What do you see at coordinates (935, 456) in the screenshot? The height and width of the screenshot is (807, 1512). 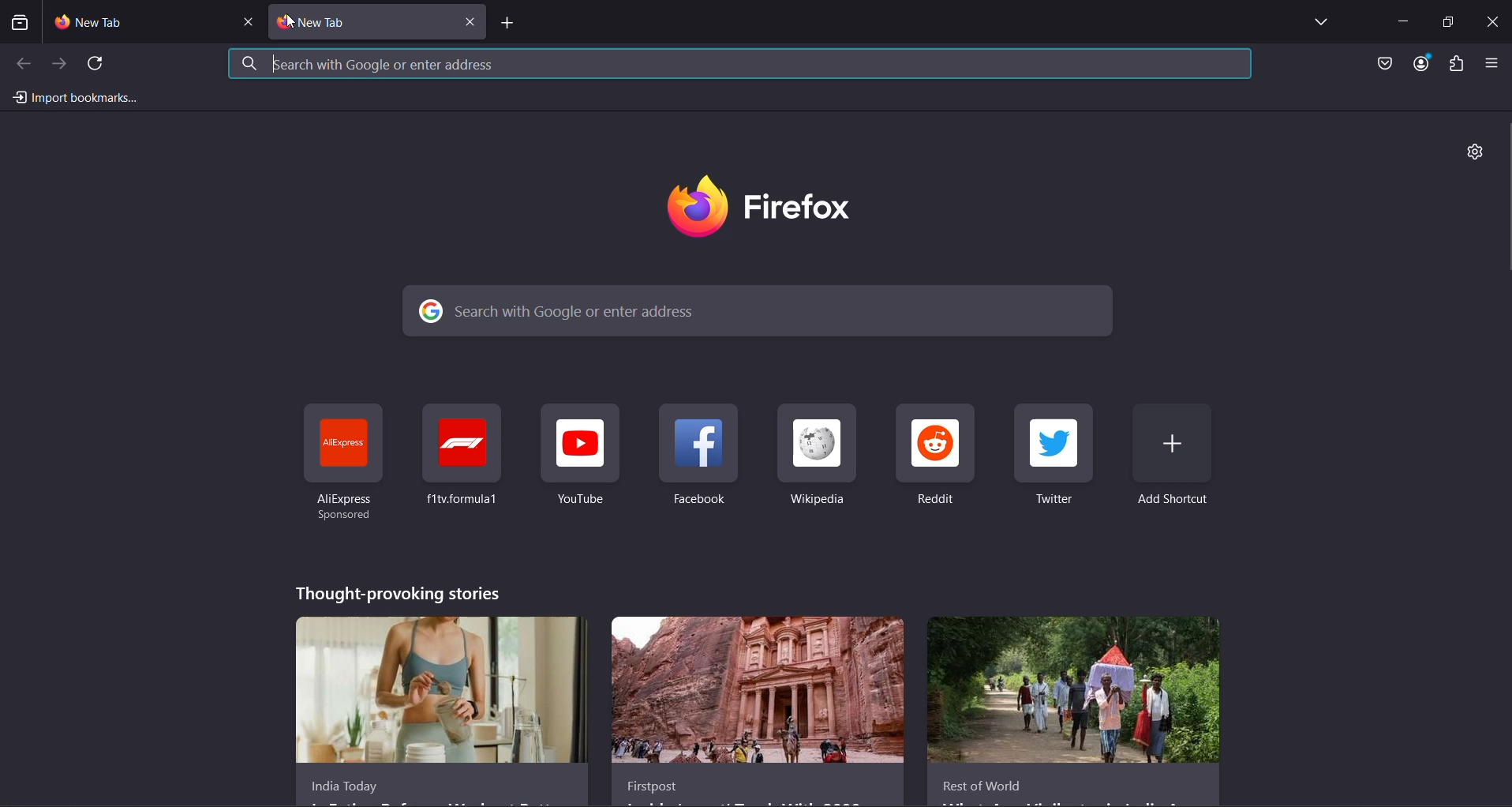 I see `shortcut` at bounding box center [935, 456].